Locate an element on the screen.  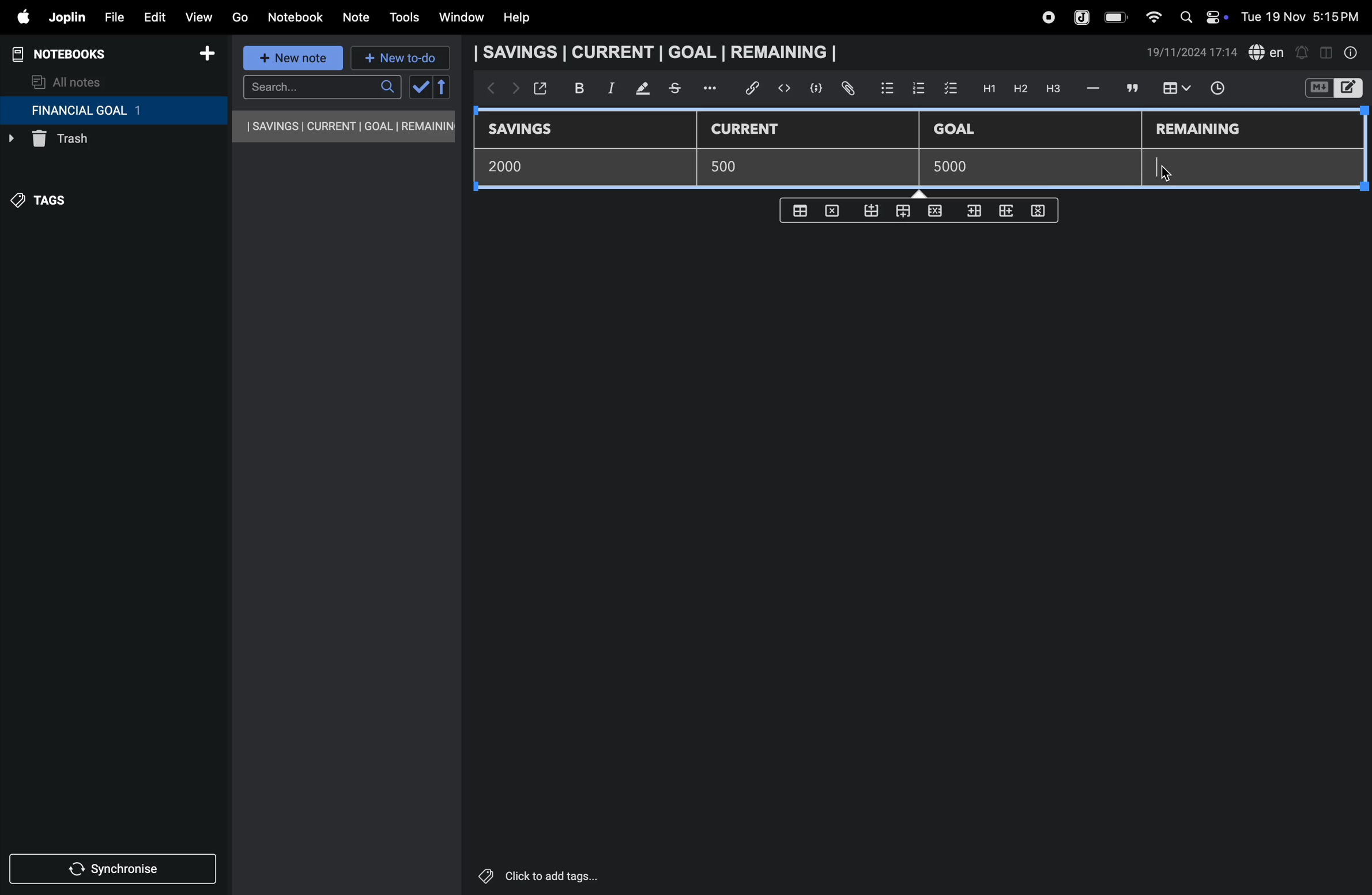
h2 is located at coordinates (1019, 88).